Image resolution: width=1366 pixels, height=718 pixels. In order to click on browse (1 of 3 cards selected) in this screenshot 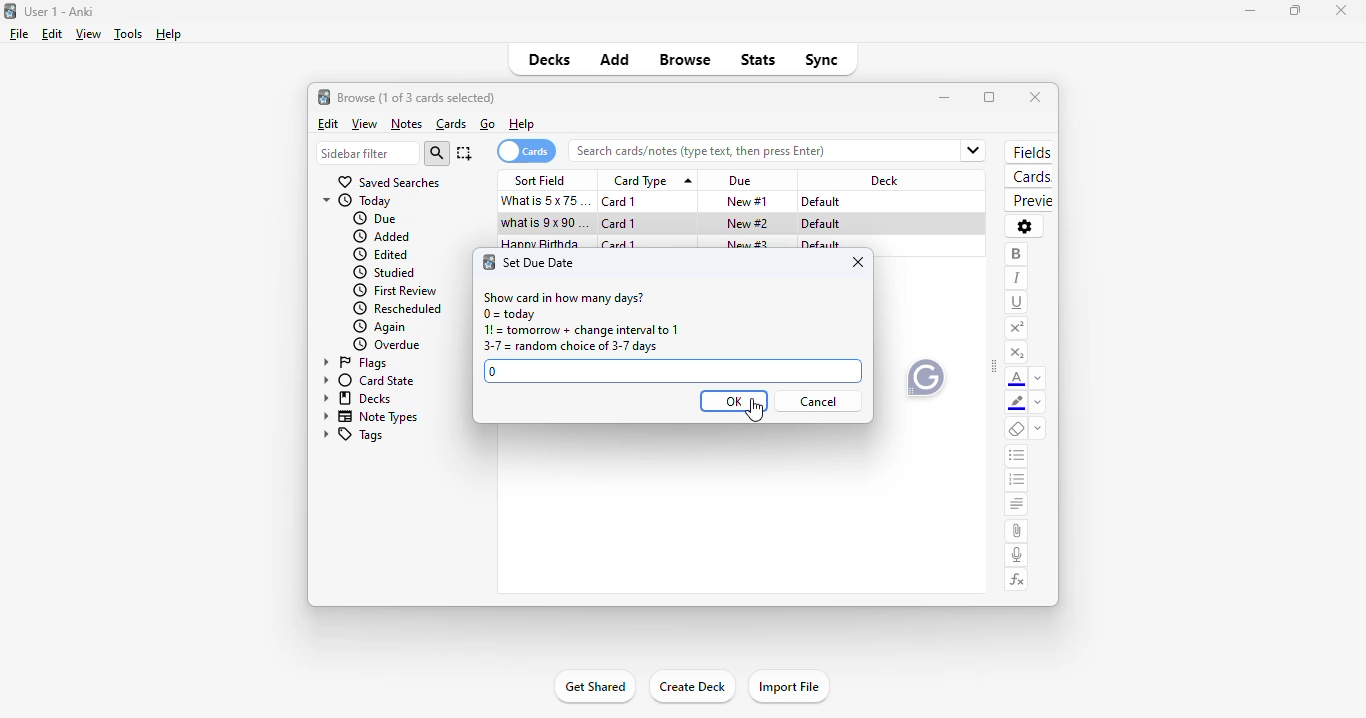, I will do `click(416, 97)`.